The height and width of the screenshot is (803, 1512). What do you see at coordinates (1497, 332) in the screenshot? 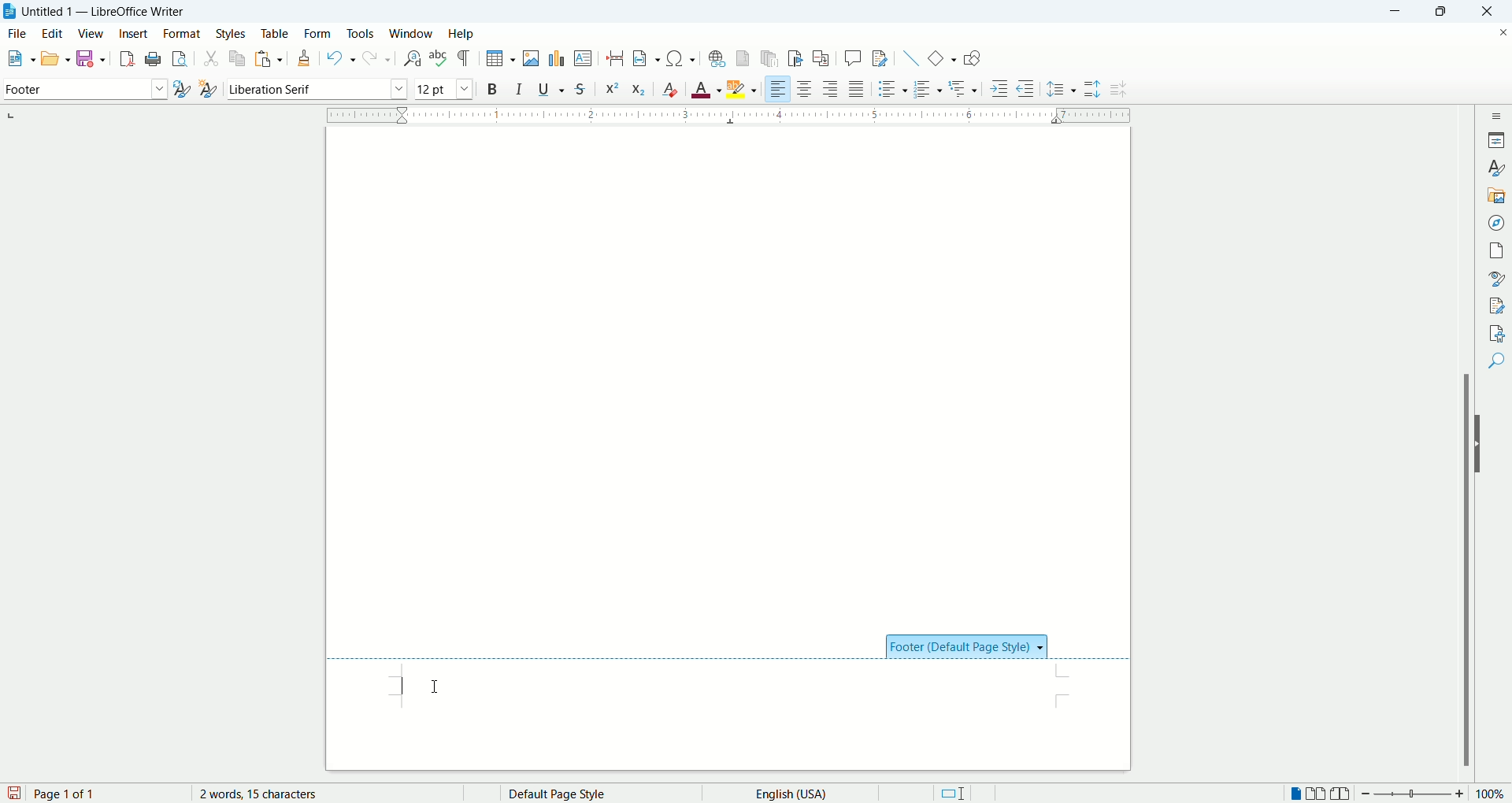
I see `accessibility check` at bounding box center [1497, 332].